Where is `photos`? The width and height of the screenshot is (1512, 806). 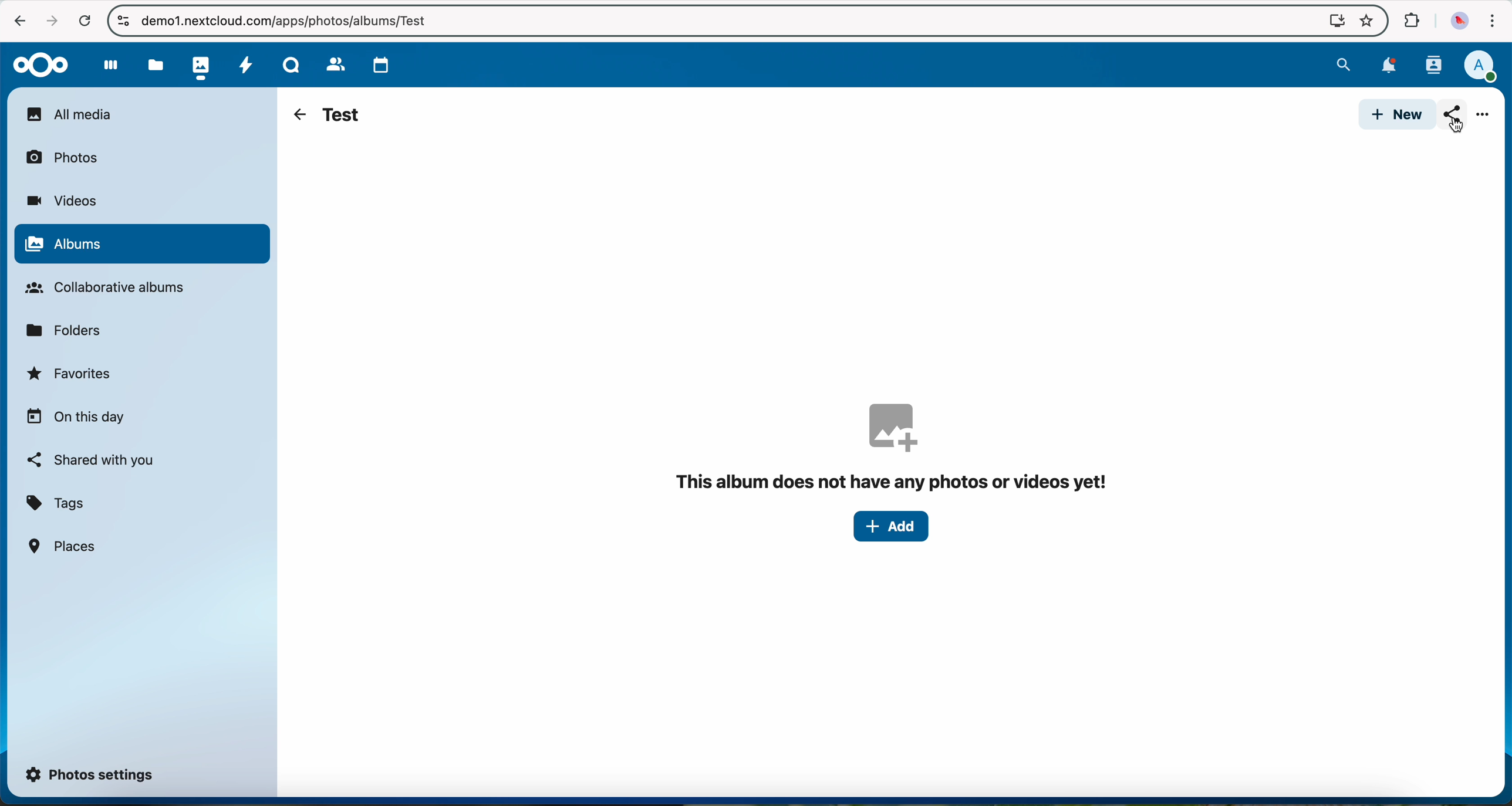 photos is located at coordinates (198, 65).